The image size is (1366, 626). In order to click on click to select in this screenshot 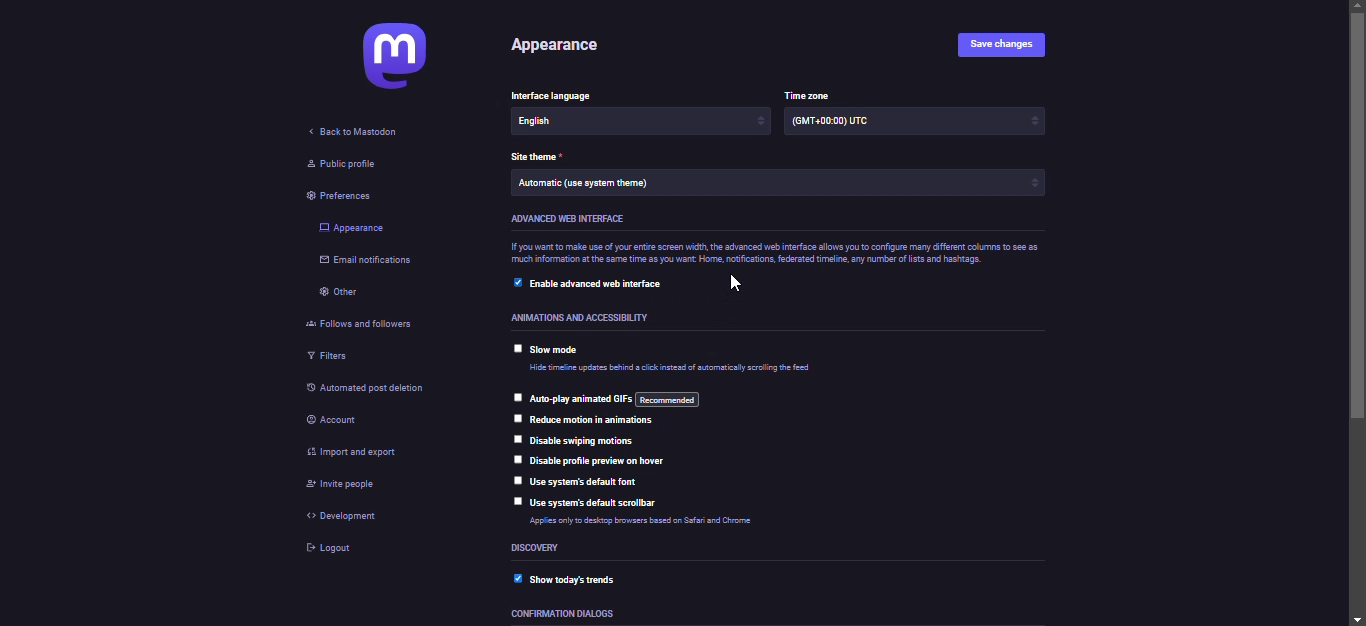, I will do `click(515, 459)`.